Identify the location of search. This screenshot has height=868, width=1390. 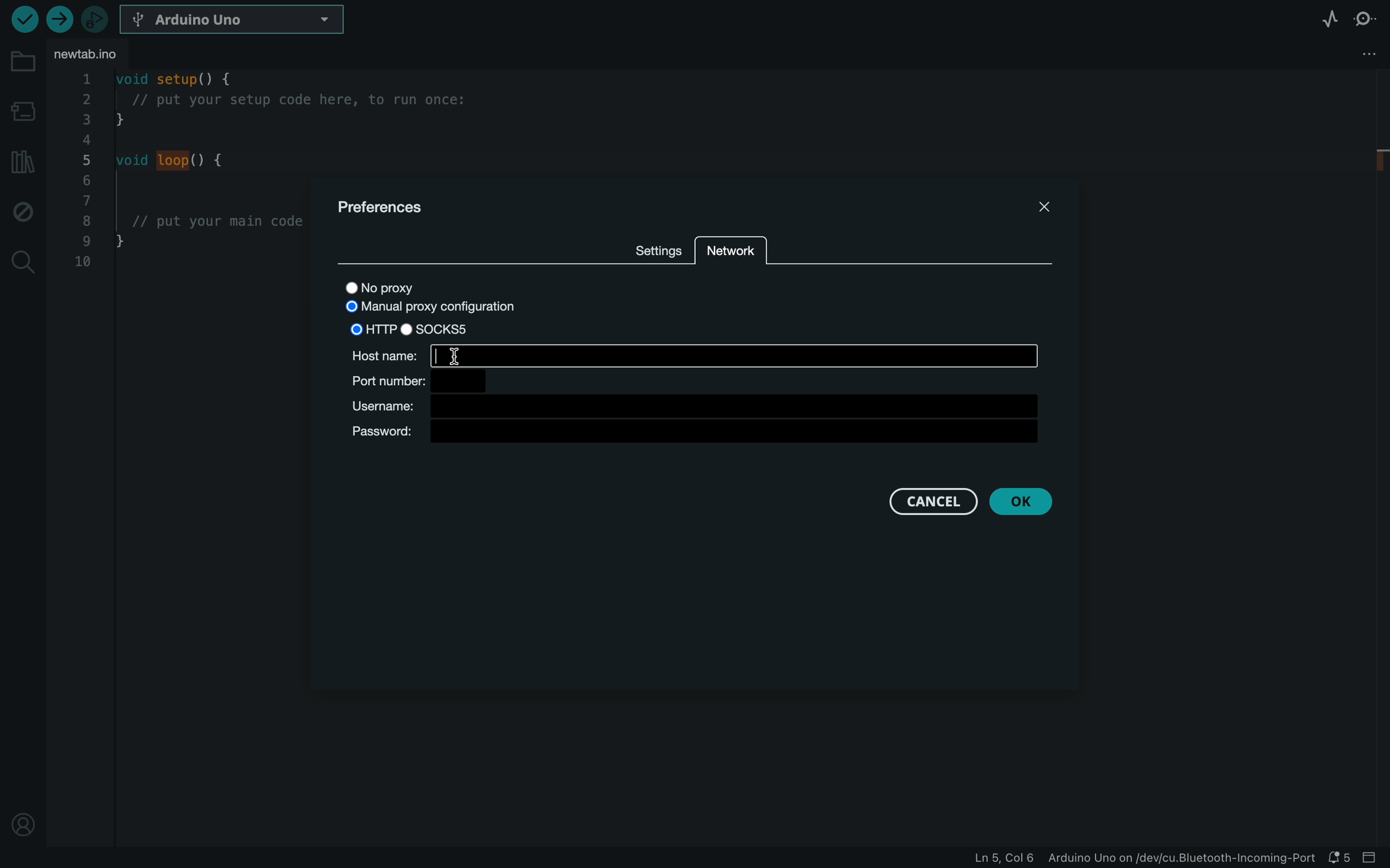
(21, 261).